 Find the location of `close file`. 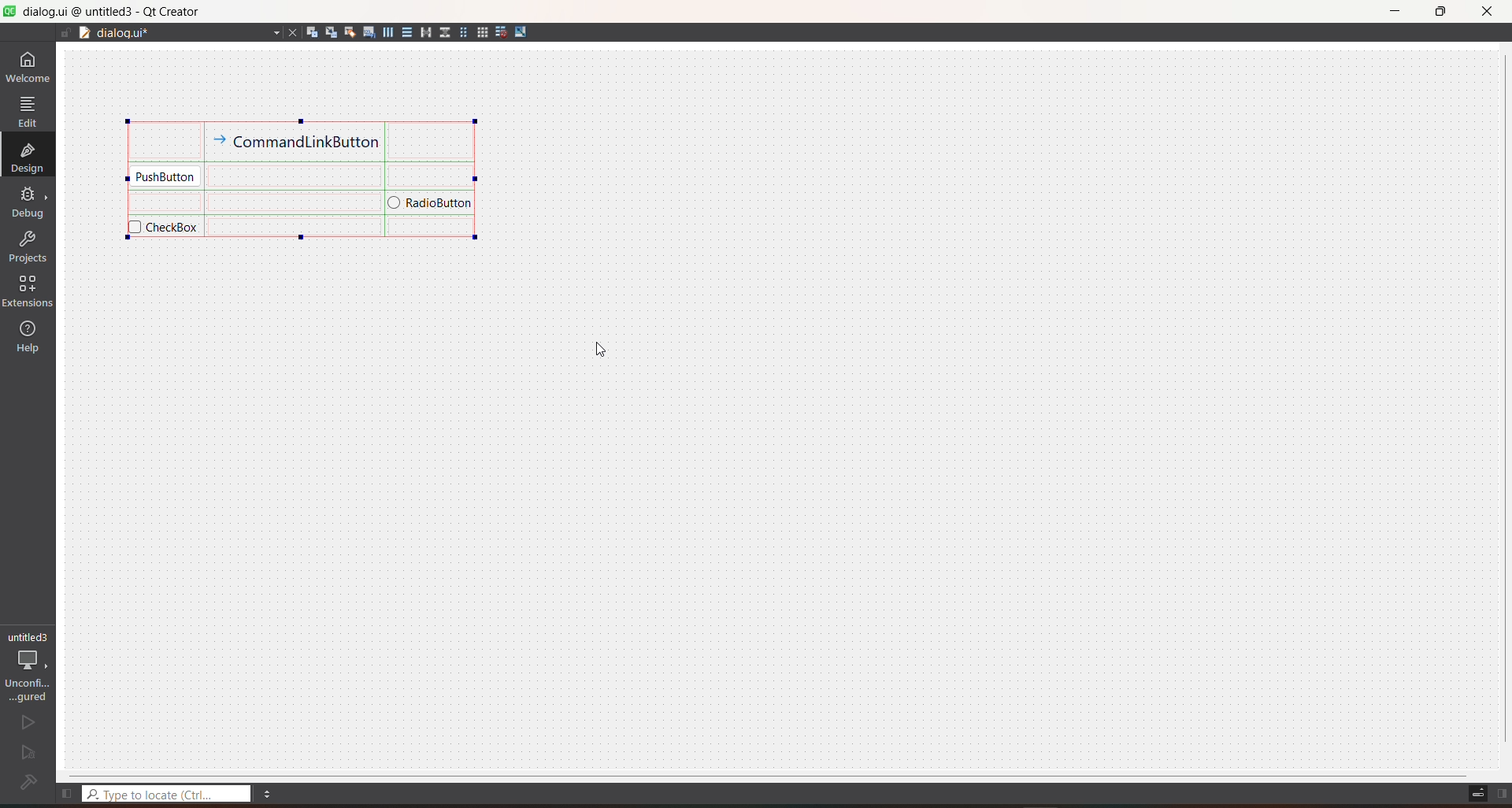

close file is located at coordinates (293, 32).